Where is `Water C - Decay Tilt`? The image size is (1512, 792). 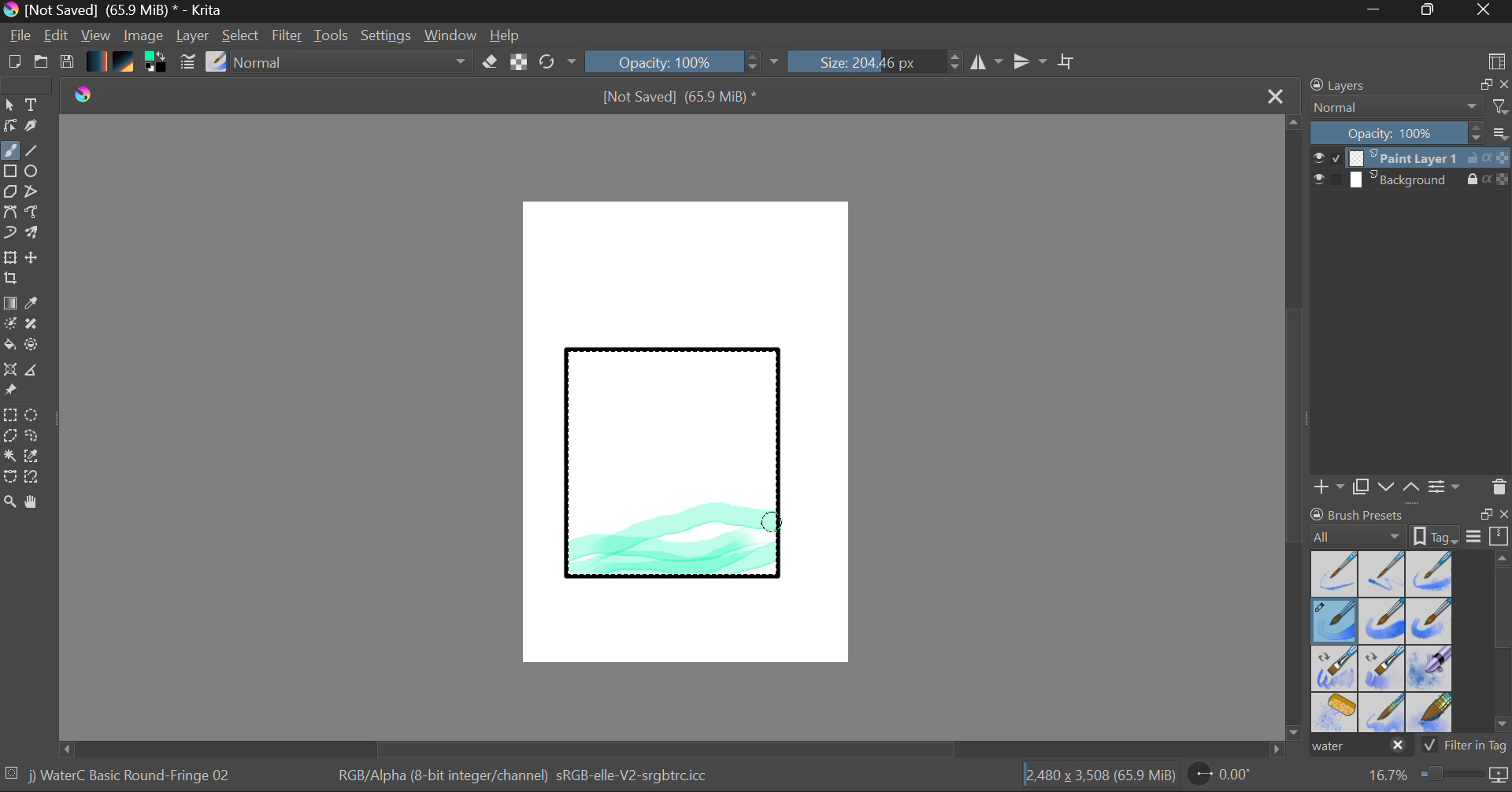 Water C - Decay Tilt is located at coordinates (1382, 667).